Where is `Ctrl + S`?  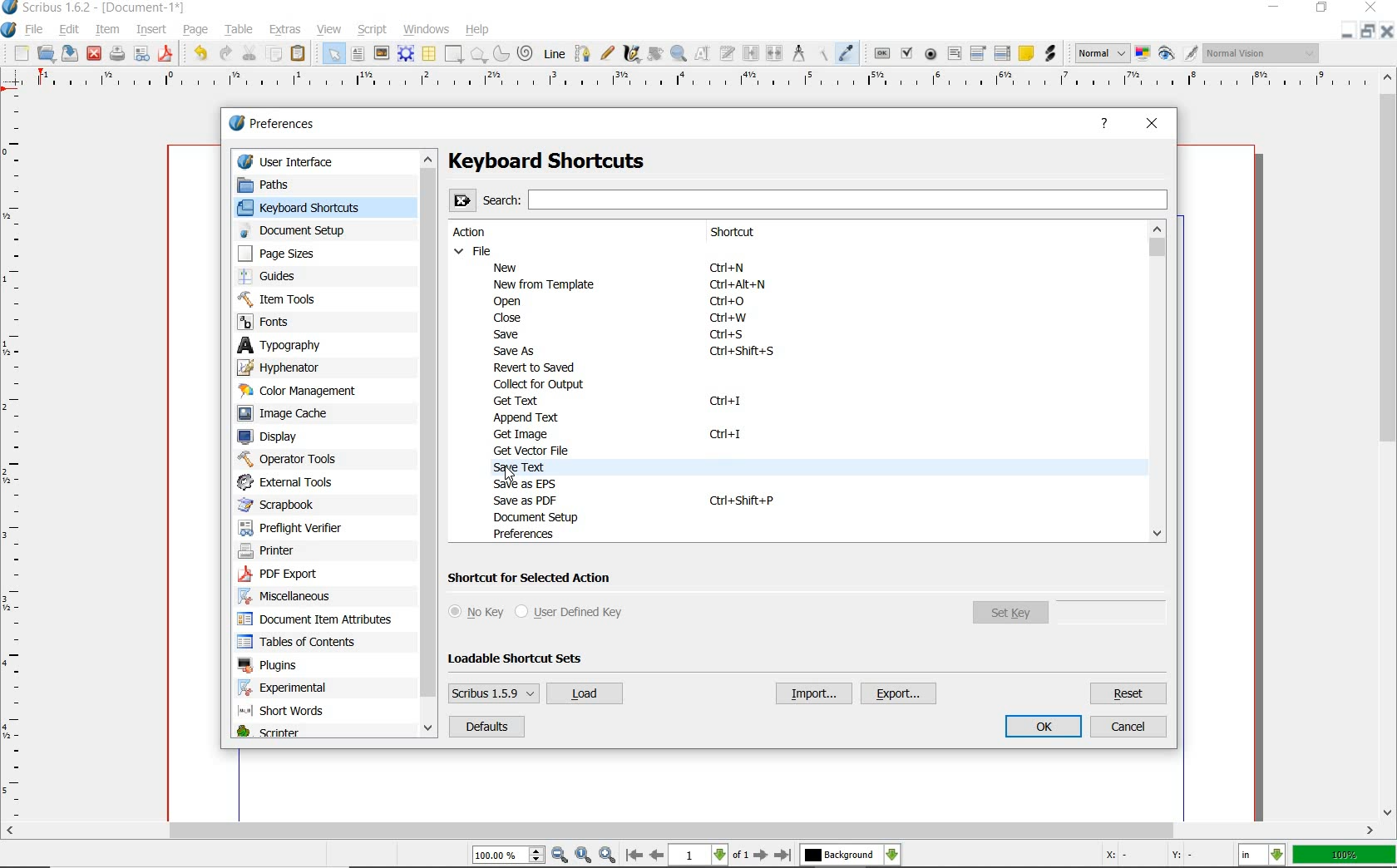
Ctrl + S is located at coordinates (728, 335).